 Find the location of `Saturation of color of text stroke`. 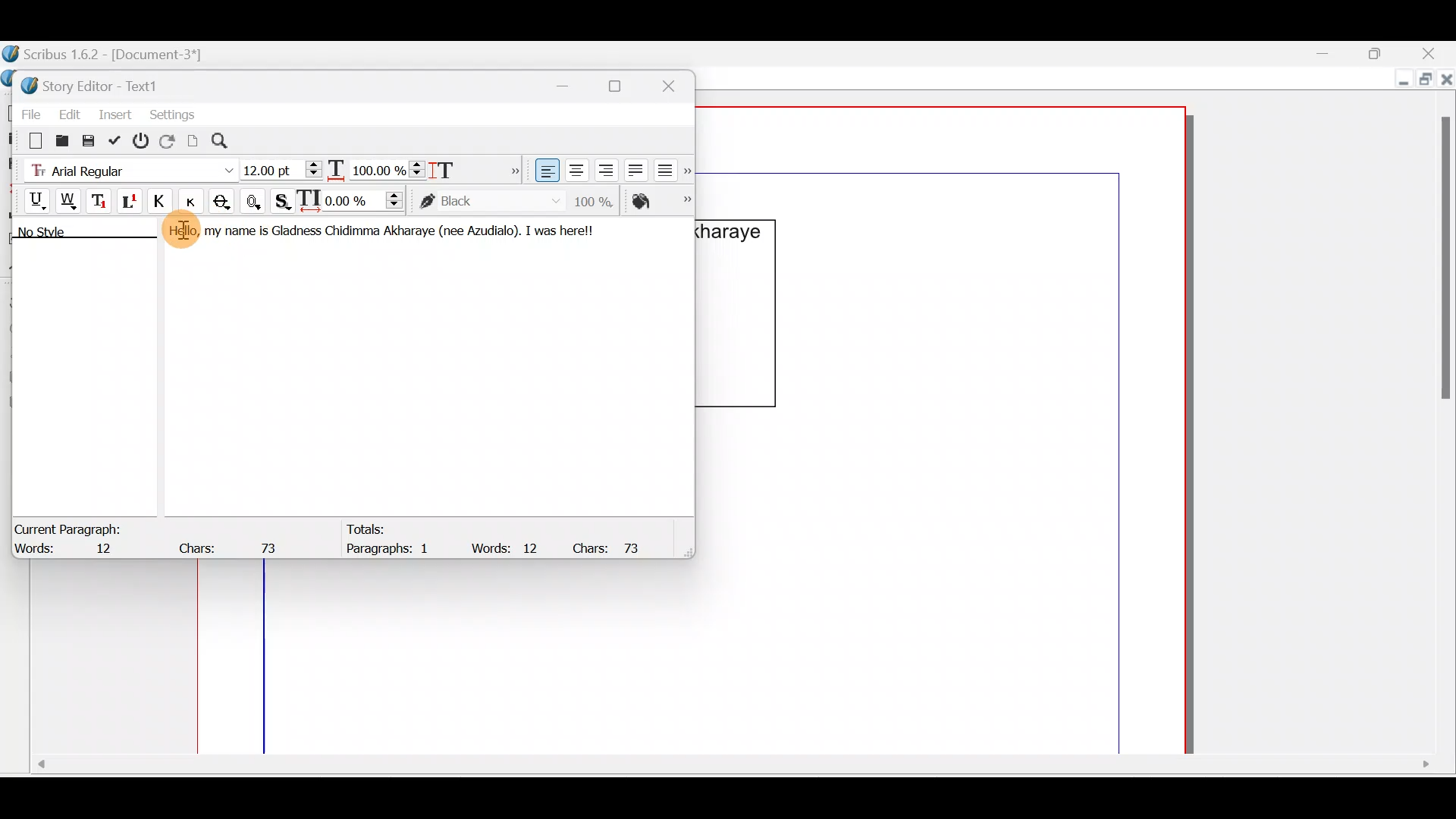

Saturation of color of text stroke is located at coordinates (599, 199).